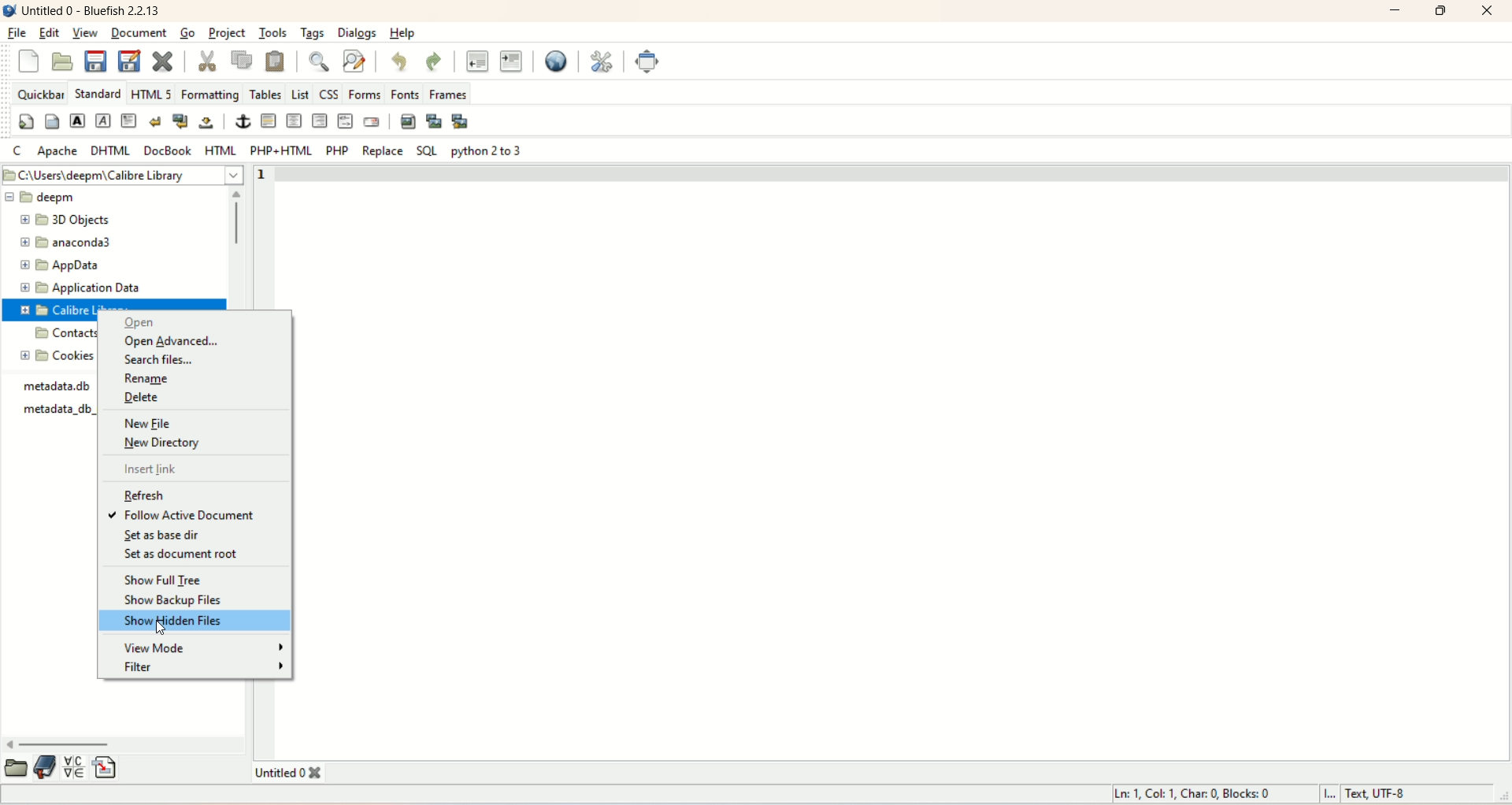  What do you see at coordinates (86, 34) in the screenshot?
I see `view` at bounding box center [86, 34].